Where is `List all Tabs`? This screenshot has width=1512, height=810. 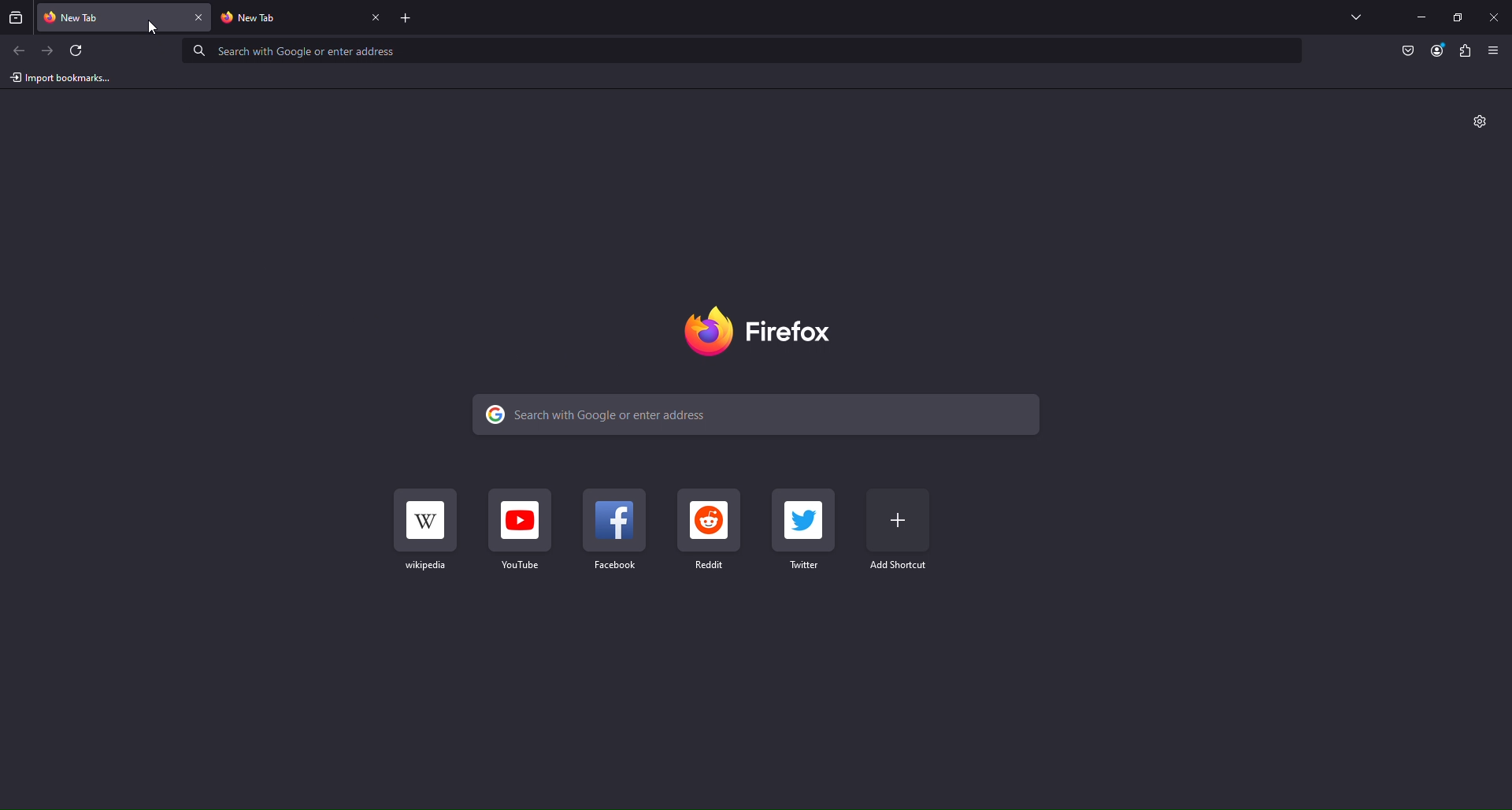 List all Tabs is located at coordinates (1355, 17).